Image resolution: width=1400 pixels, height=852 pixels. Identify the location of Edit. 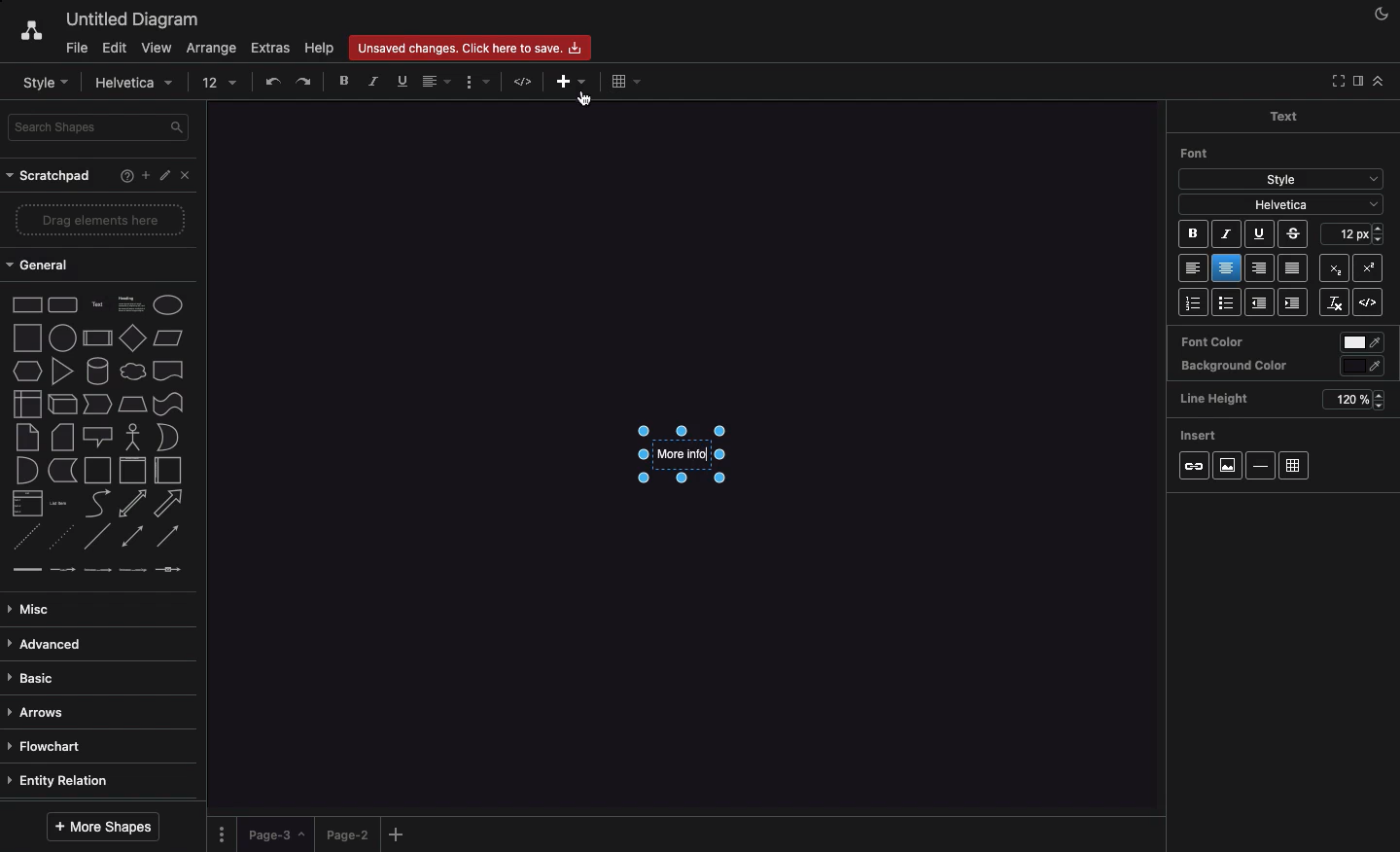
(166, 176).